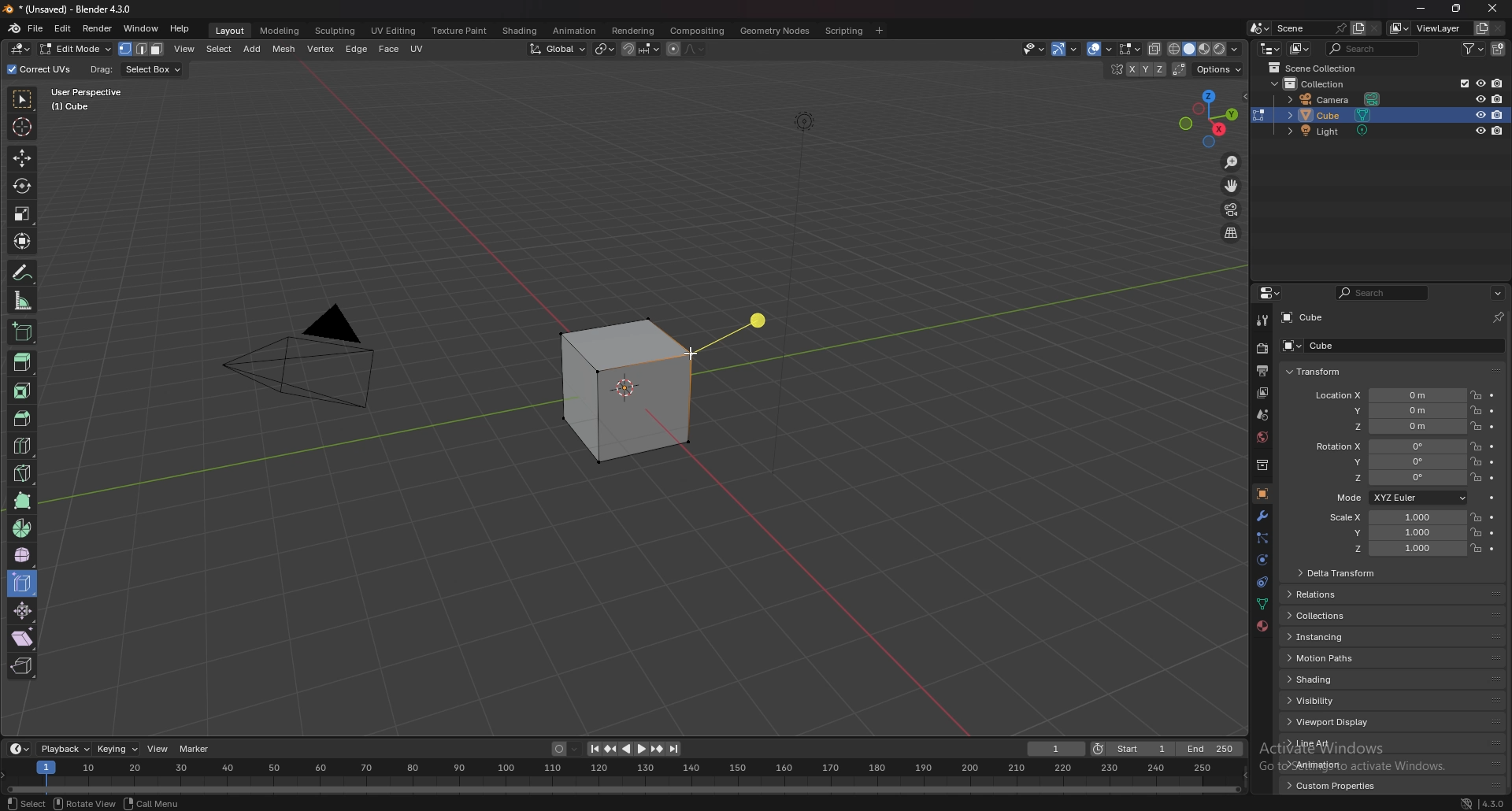  I want to click on select mode, so click(142, 50).